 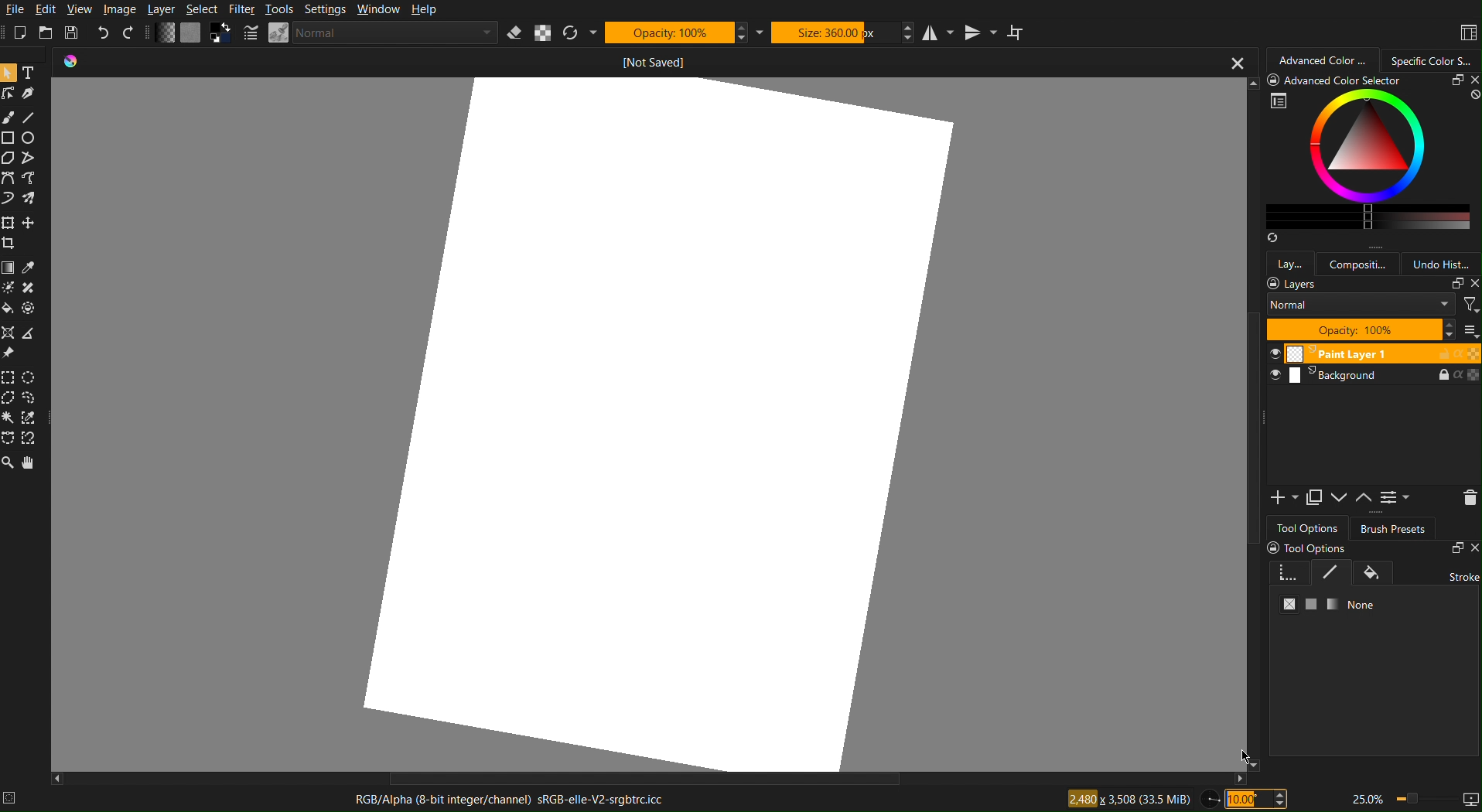 I want to click on Freehand Brush Tool, so click(x=9, y=199).